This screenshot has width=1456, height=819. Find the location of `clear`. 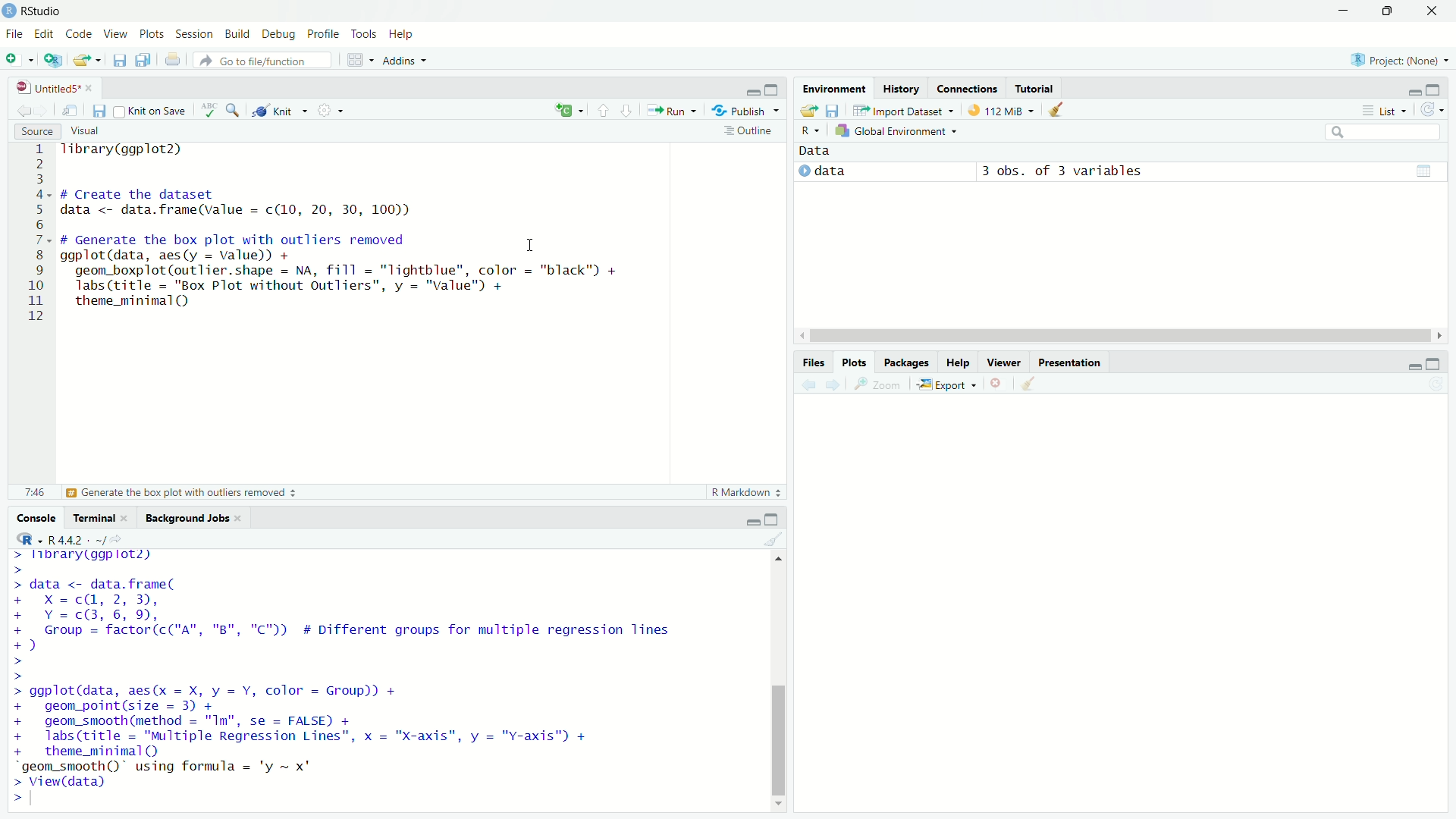

clear is located at coordinates (775, 539).